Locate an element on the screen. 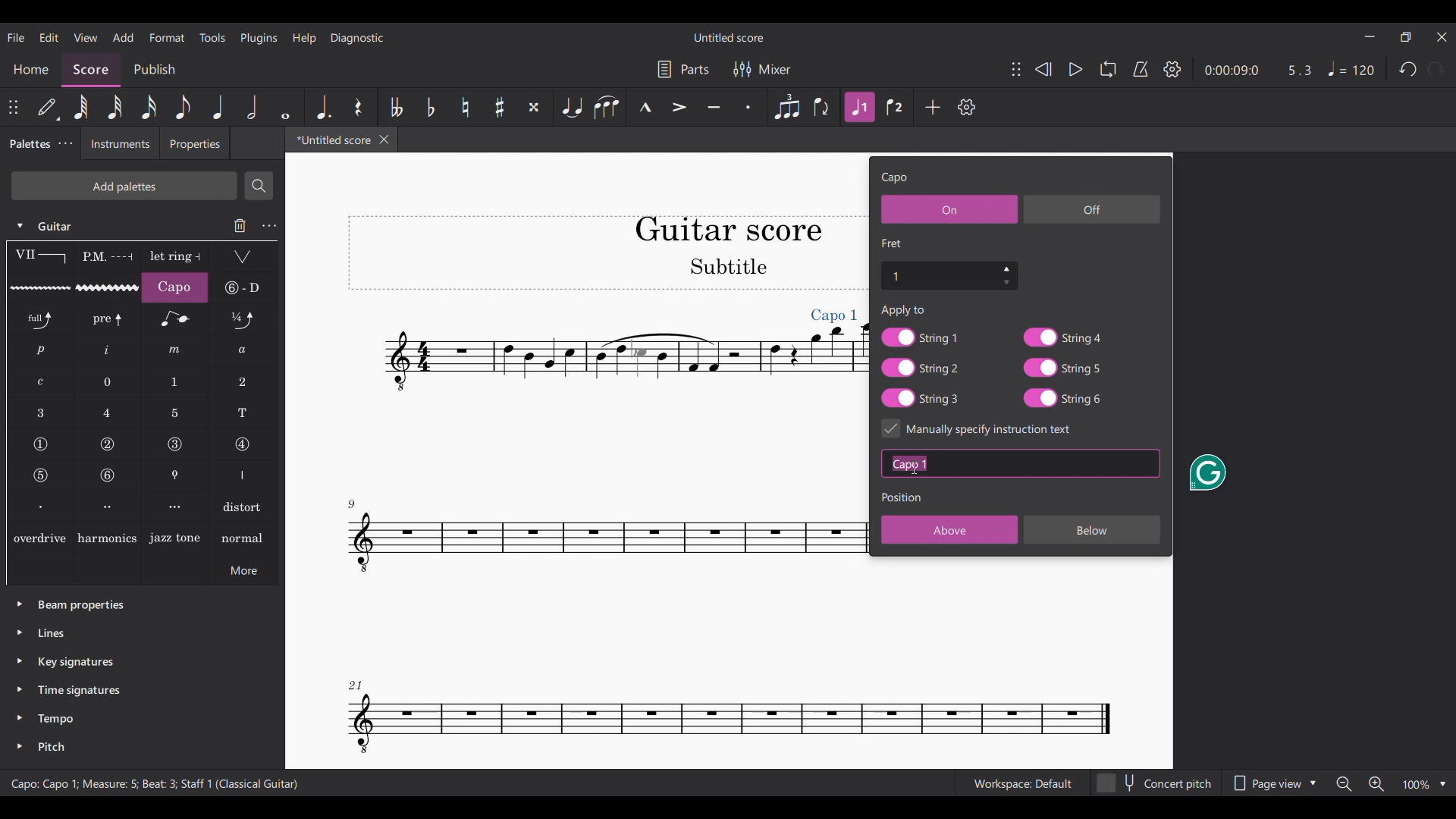 This screenshot has width=1456, height=819. Minimize is located at coordinates (1370, 36).